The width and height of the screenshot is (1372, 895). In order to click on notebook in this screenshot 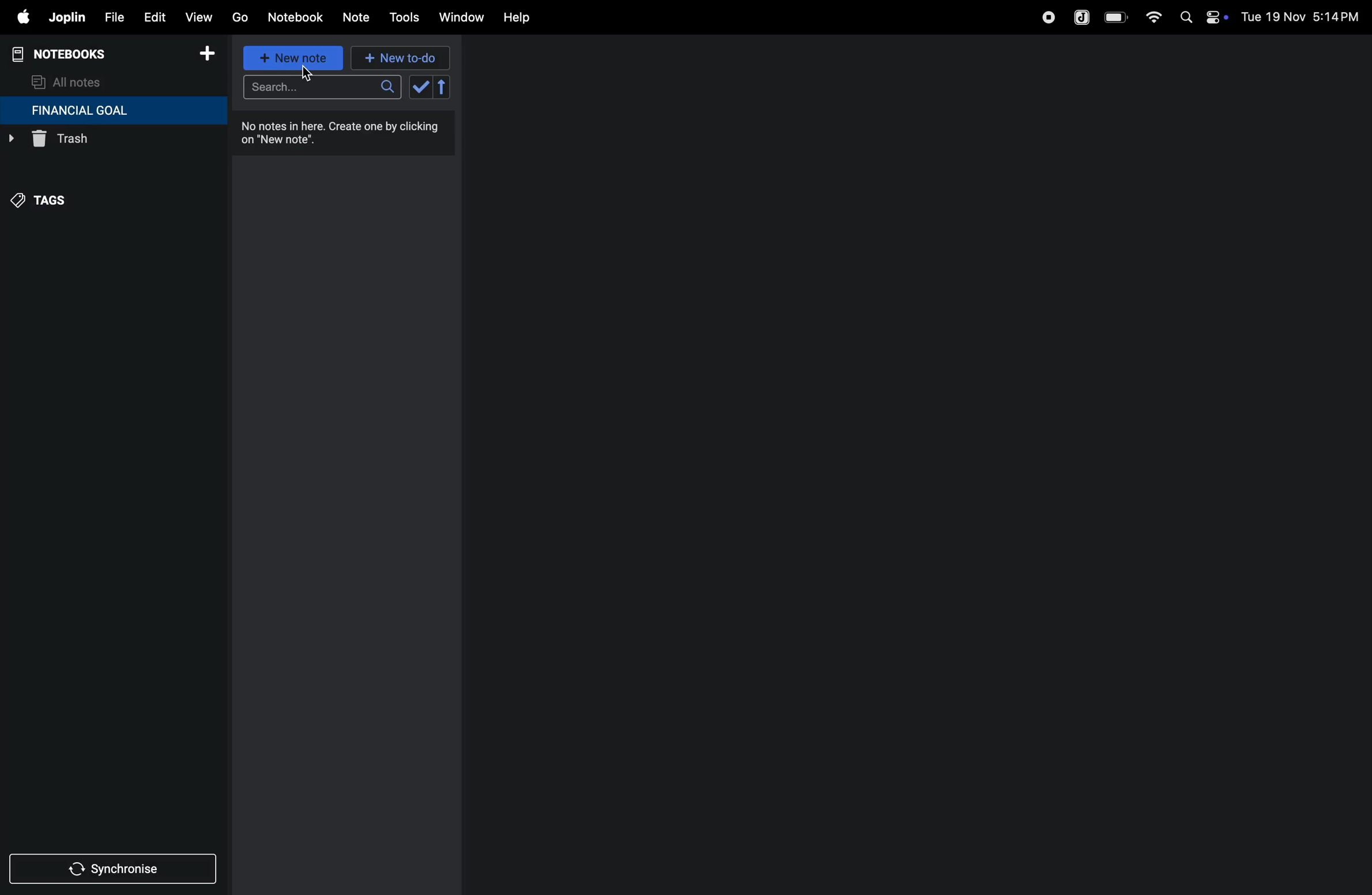, I will do `click(295, 17)`.